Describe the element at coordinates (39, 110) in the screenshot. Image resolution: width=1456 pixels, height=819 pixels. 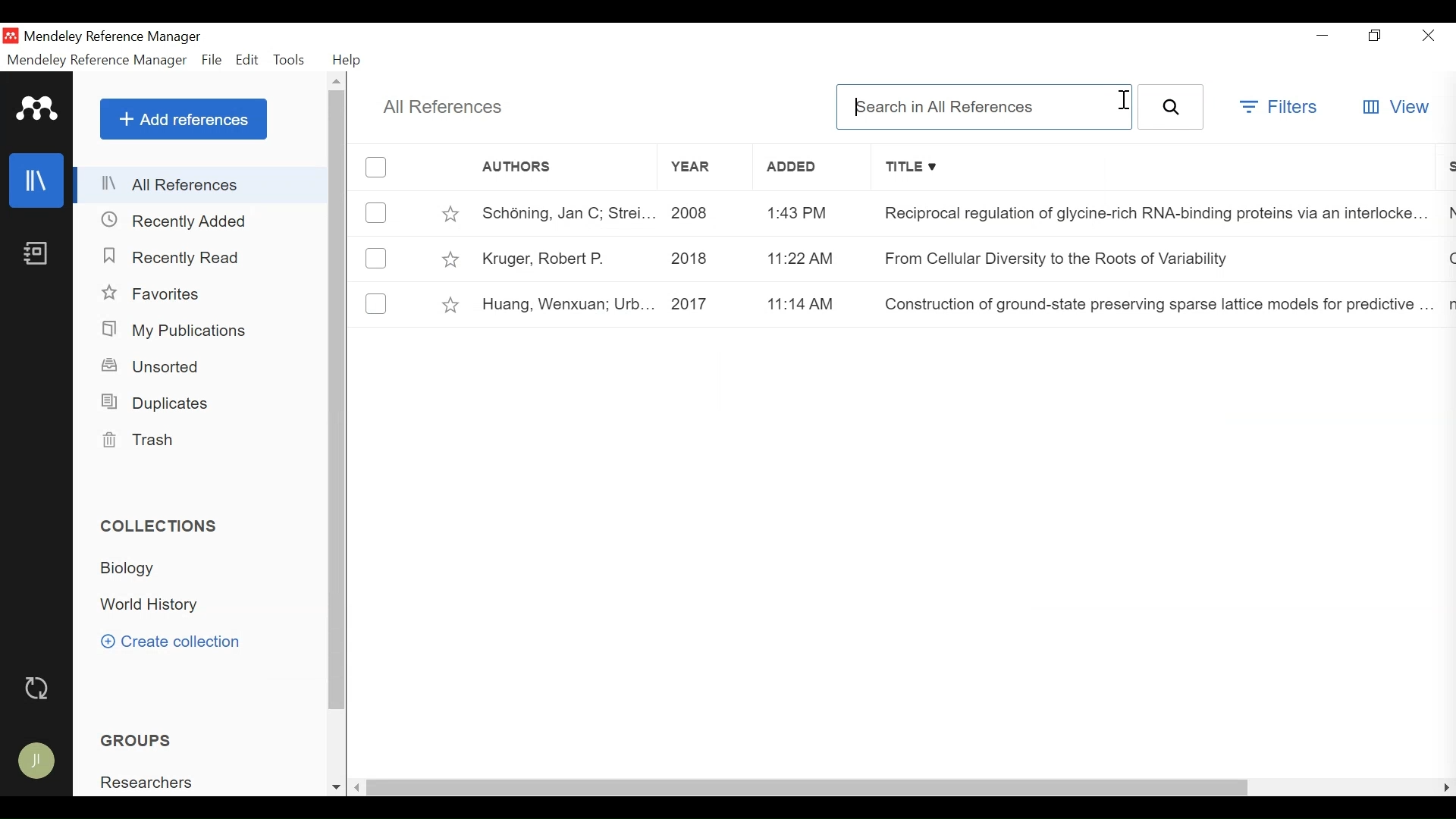
I see `Mendeley Logo` at that location.